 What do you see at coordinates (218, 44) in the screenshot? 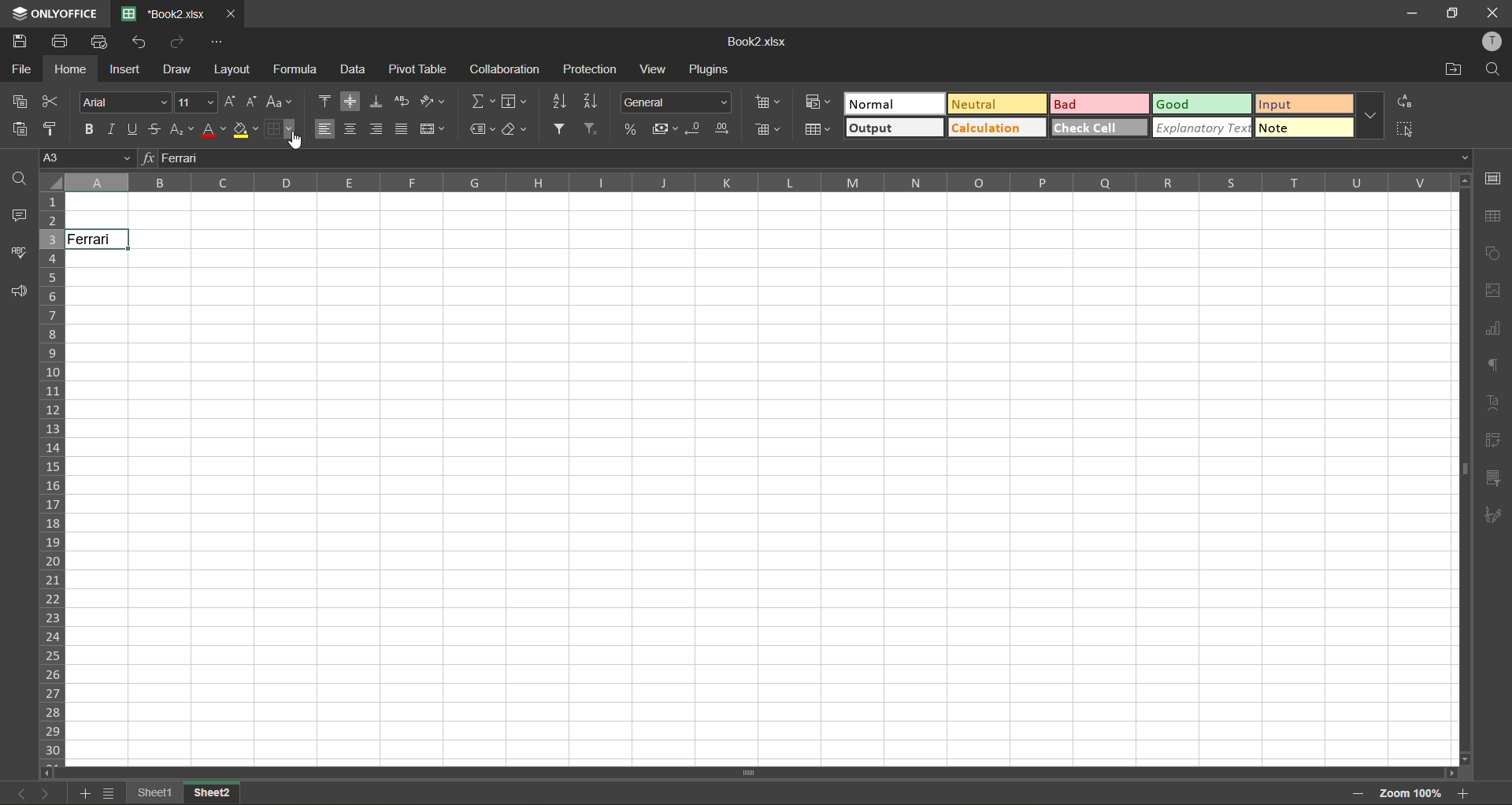
I see `customize quick access toolbar` at bounding box center [218, 44].